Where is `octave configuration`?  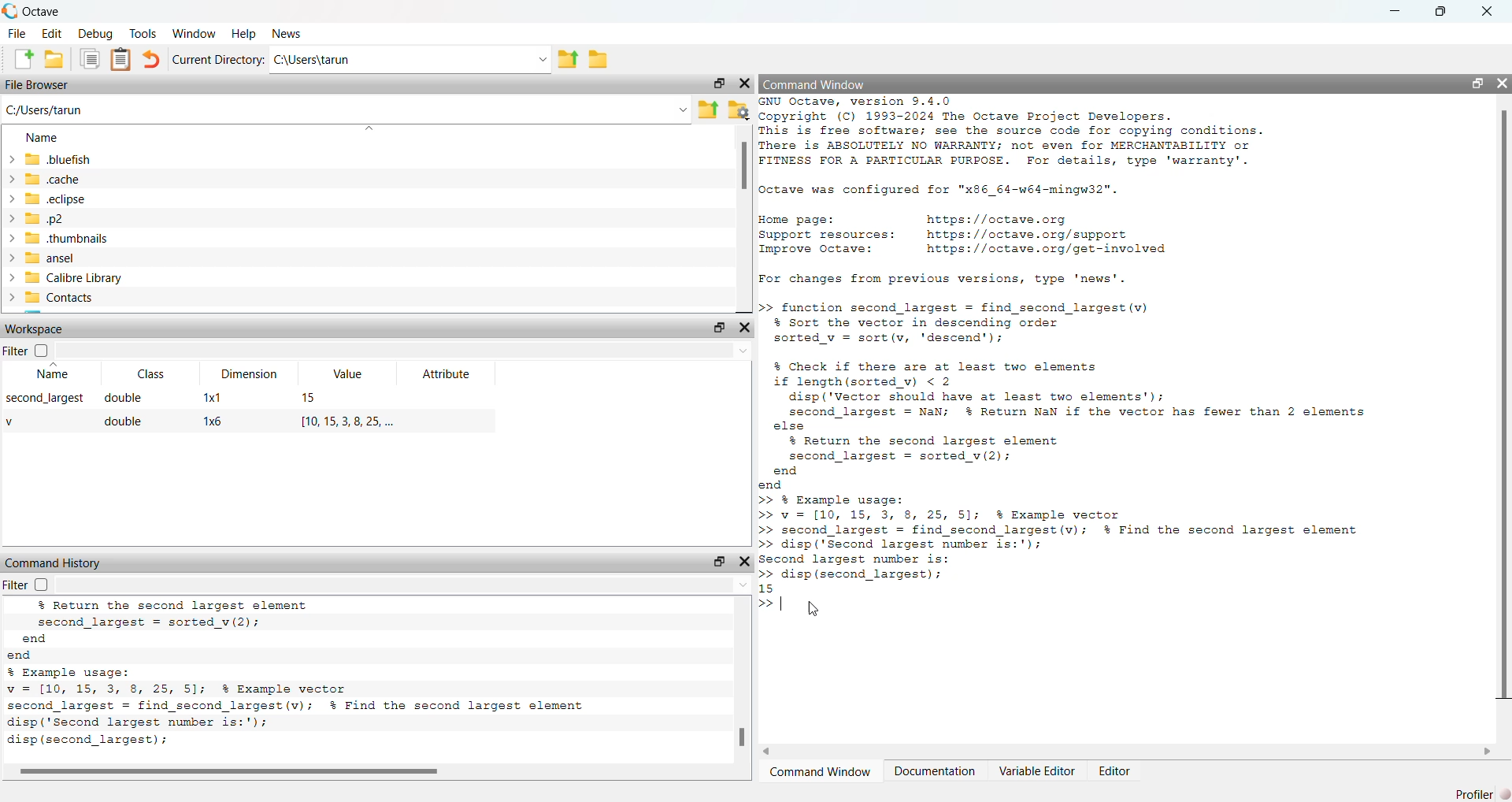
octave configuration is located at coordinates (956, 191).